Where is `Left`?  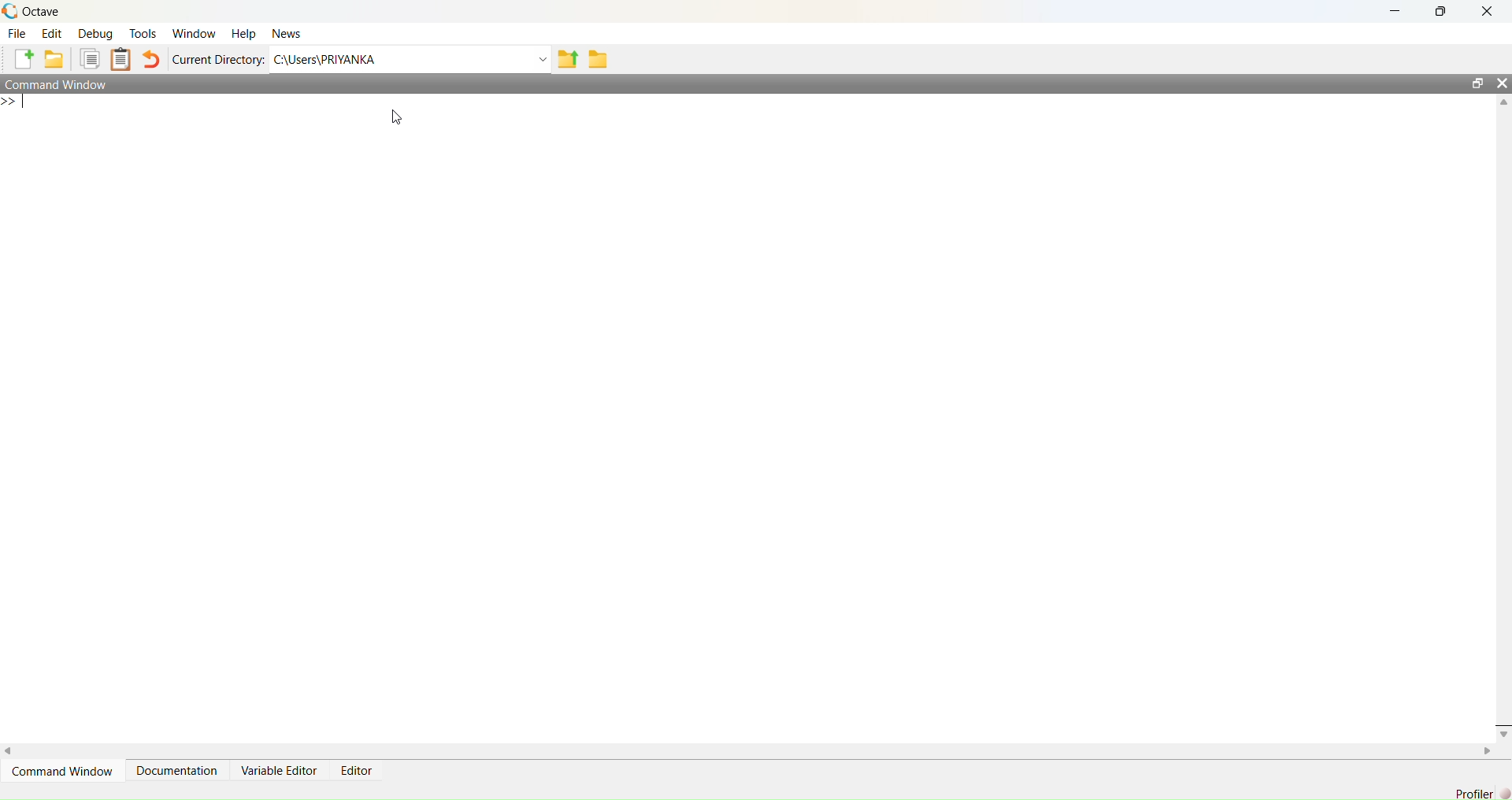
Left is located at coordinates (9, 750).